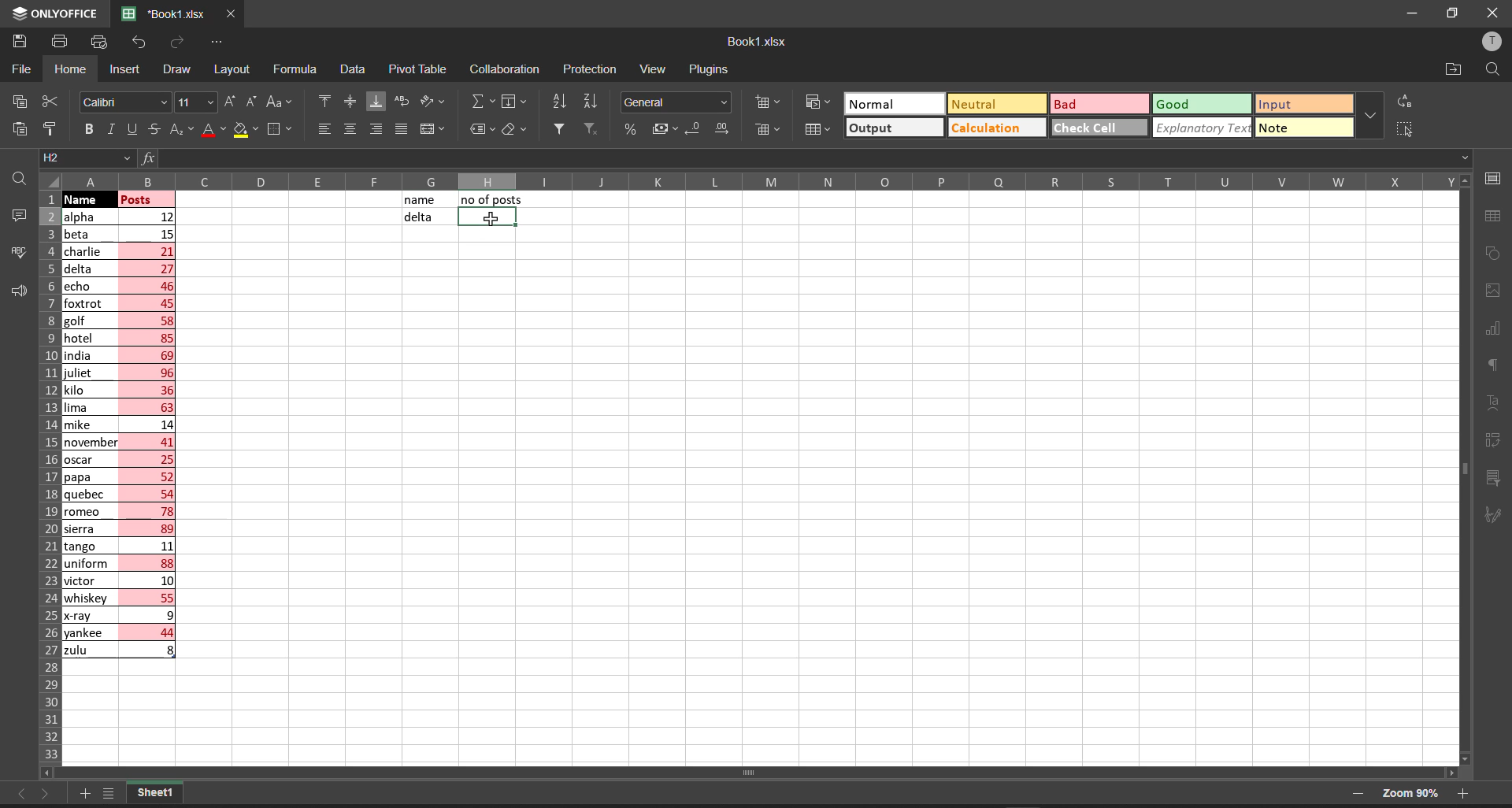 The height and width of the screenshot is (808, 1512). I want to click on insert cells, so click(765, 103).